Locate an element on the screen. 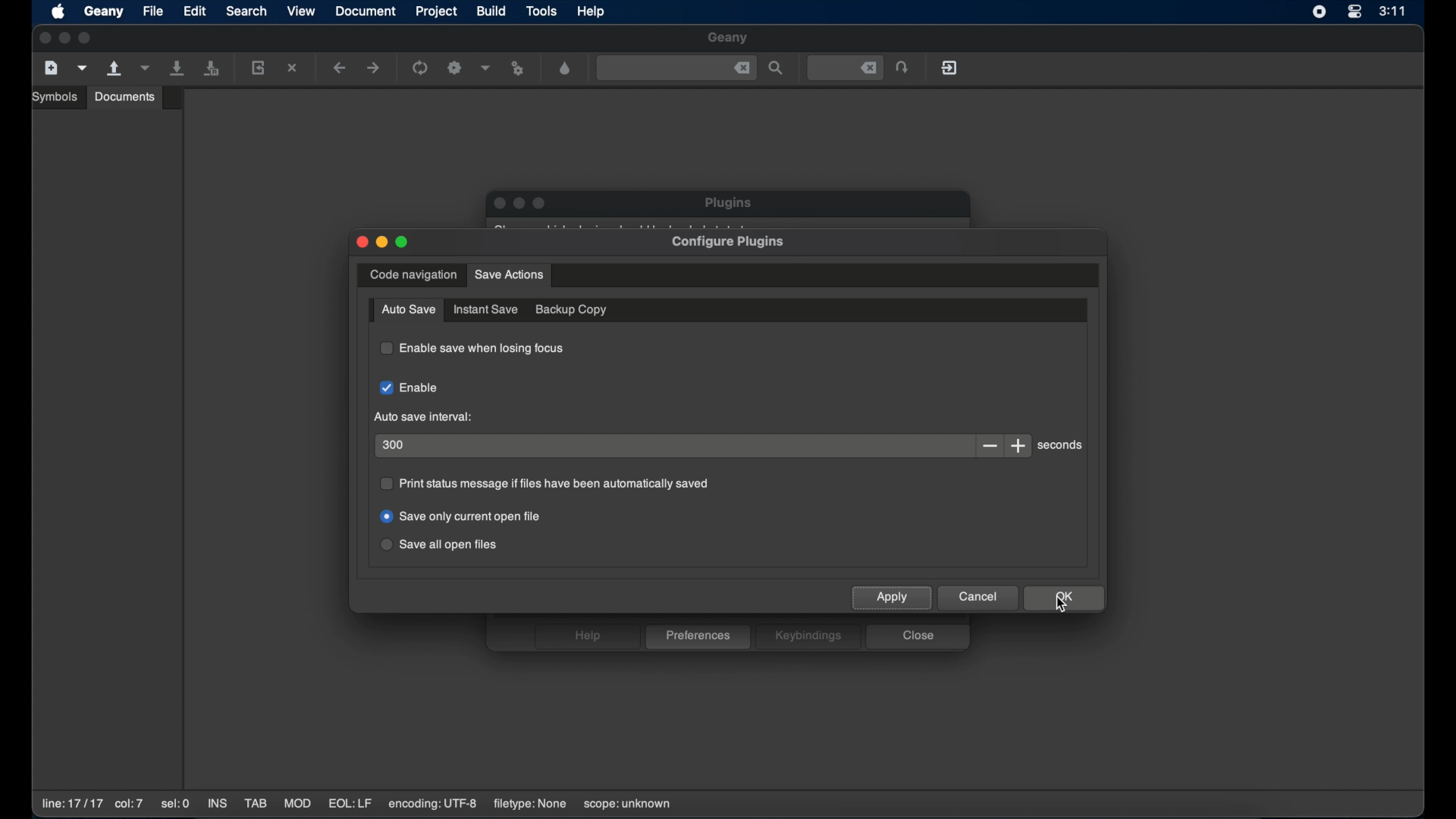  document is located at coordinates (366, 11).